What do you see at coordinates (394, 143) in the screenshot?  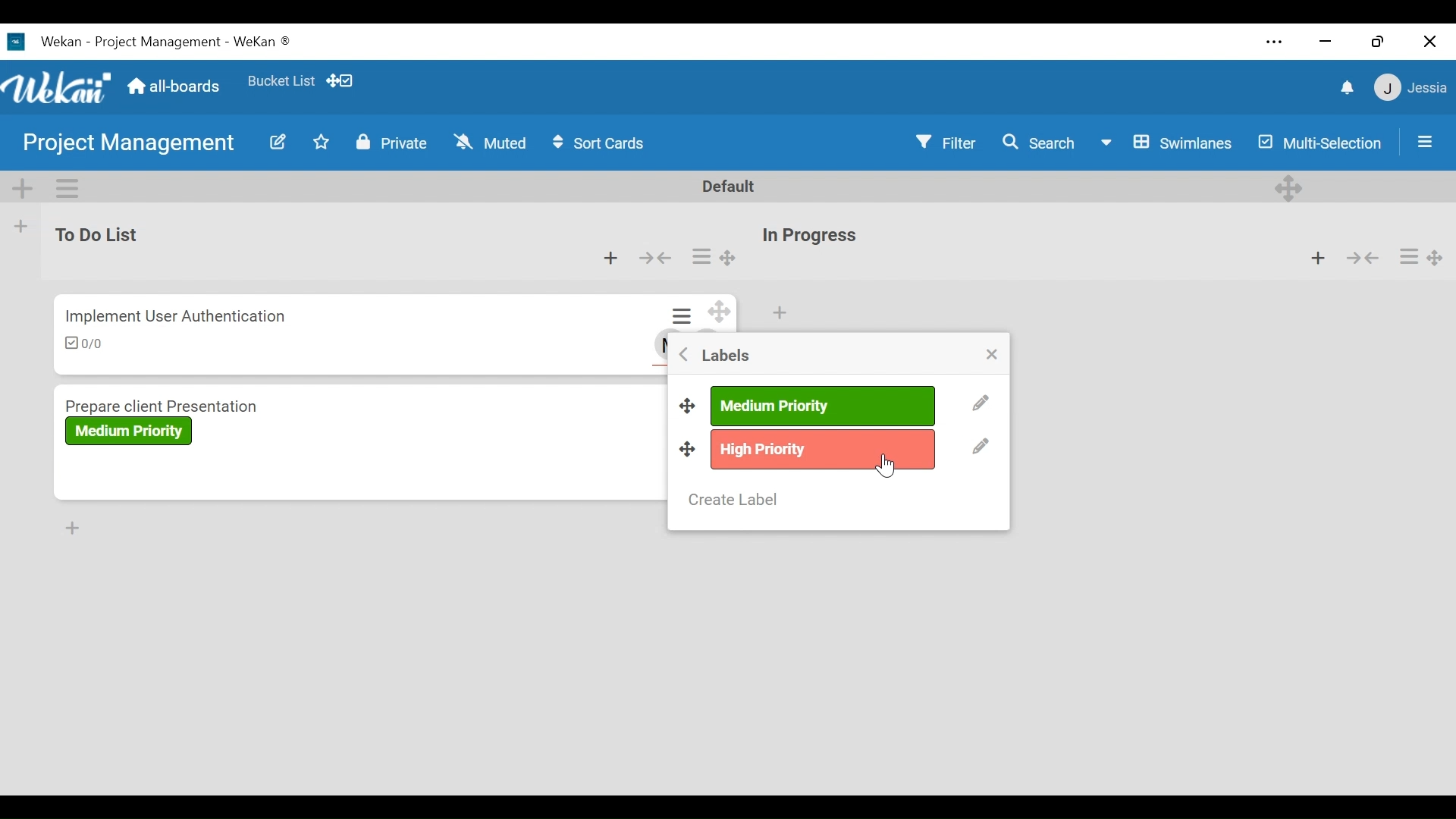 I see `Private` at bounding box center [394, 143].